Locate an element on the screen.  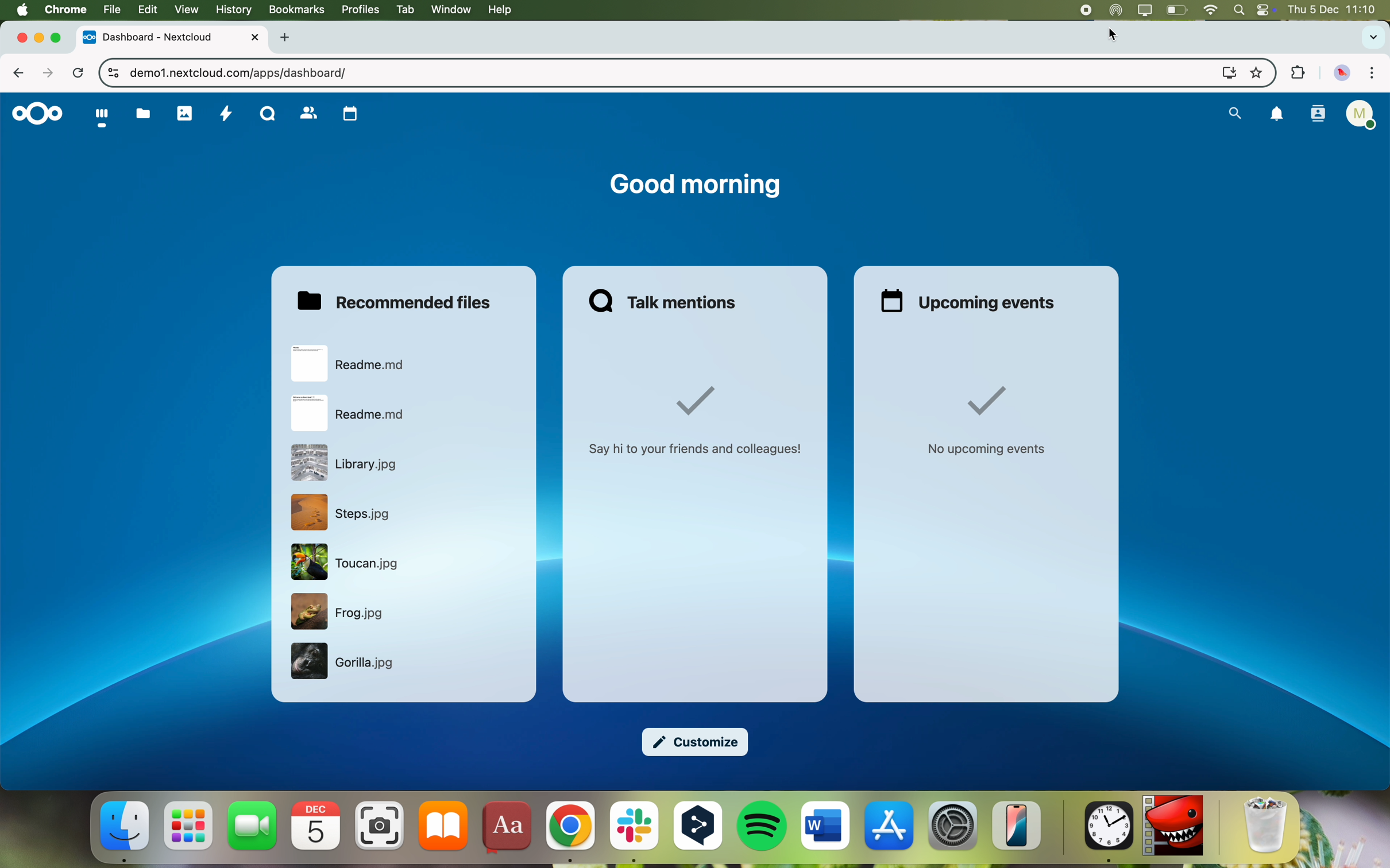
file is located at coordinates (346, 563).